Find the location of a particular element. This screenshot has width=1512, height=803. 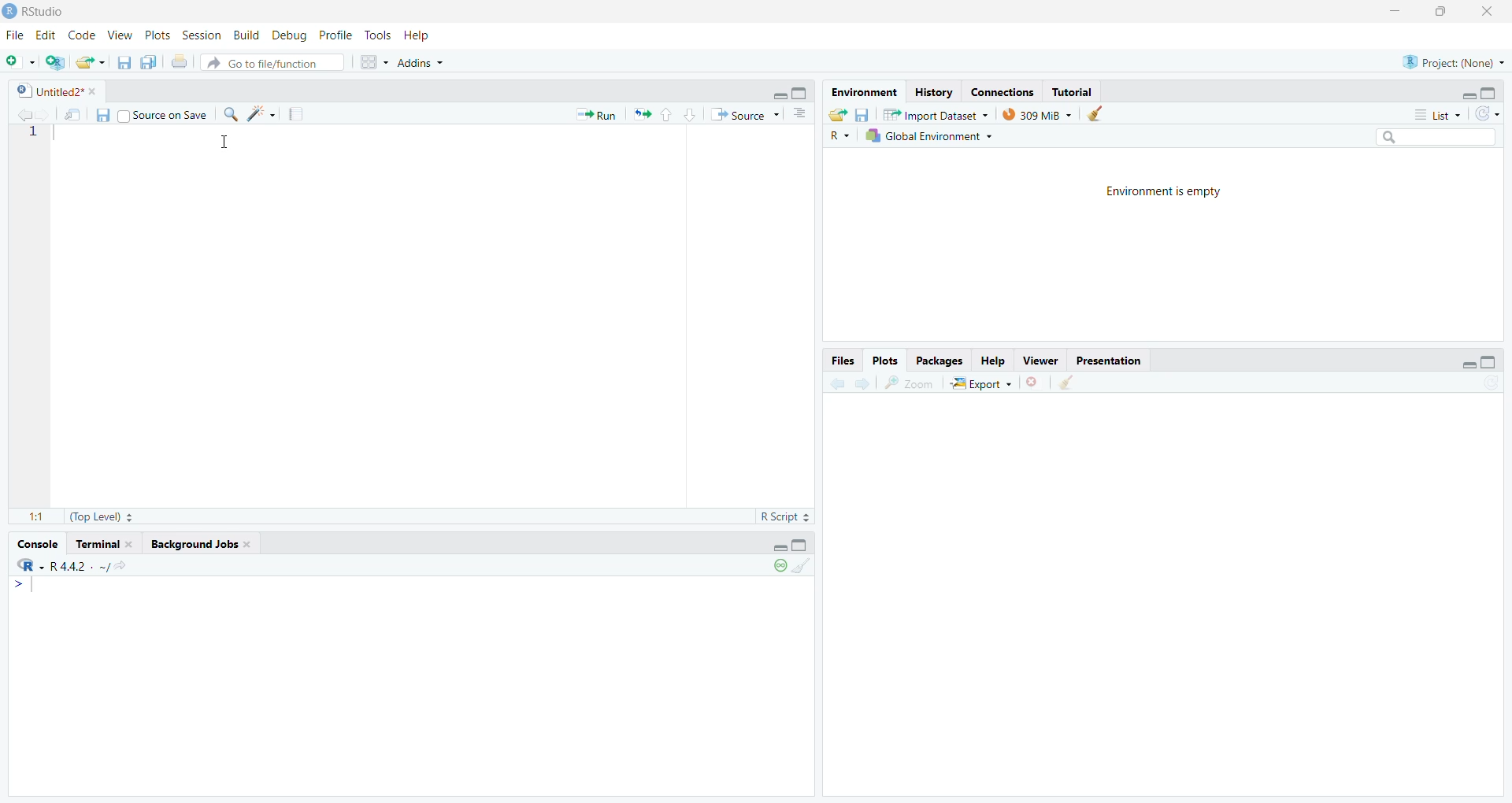

upward is located at coordinates (670, 116).